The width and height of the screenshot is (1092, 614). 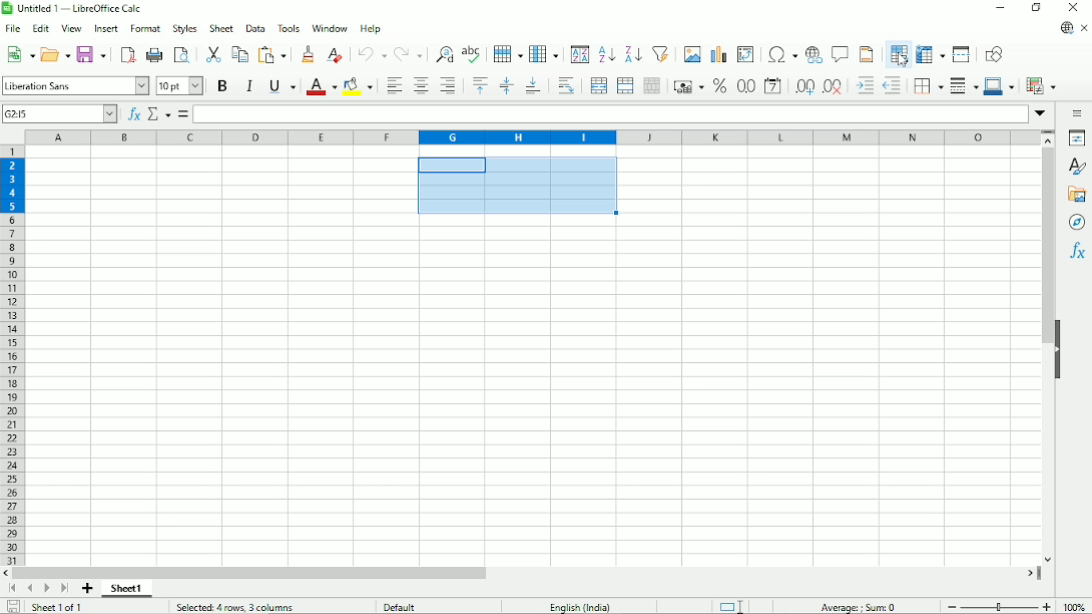 What do you see at coordinates (506, 86) in the screenshot?
I see `Center vertically` at bounding box center [506, 86].